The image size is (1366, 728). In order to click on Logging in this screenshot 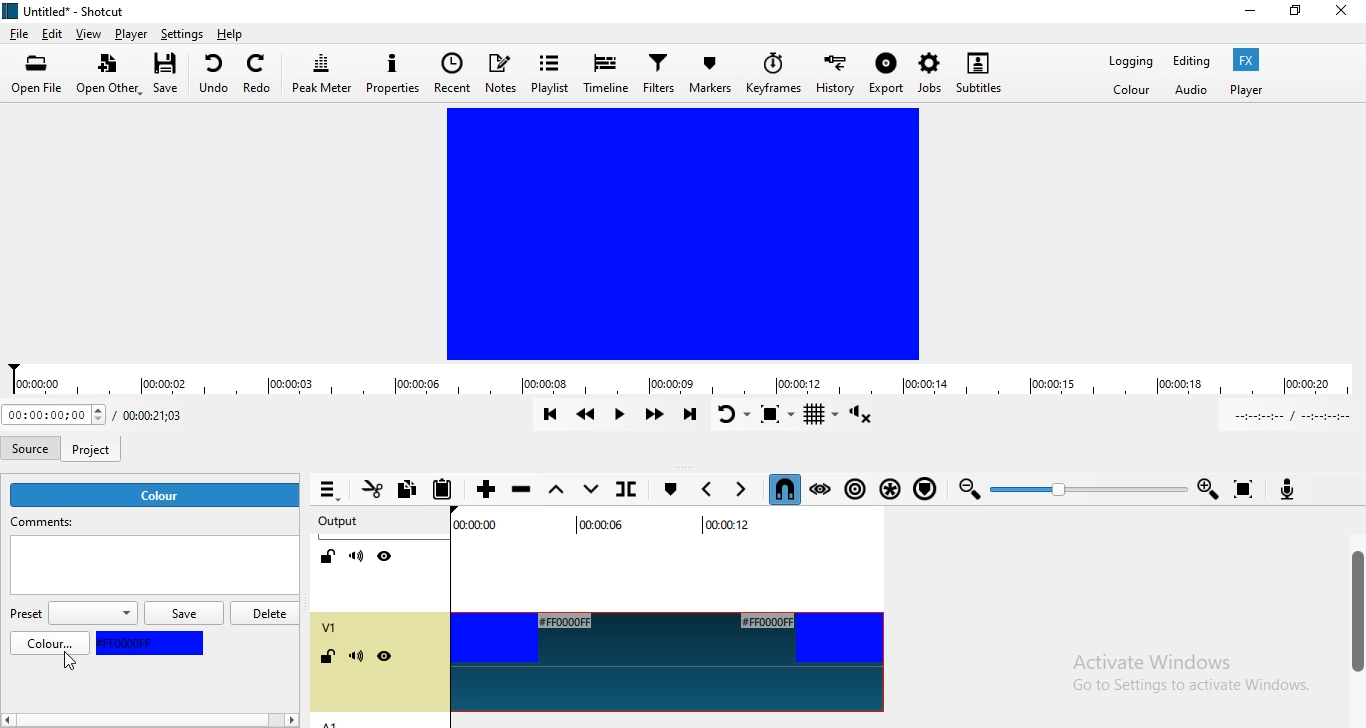, I will do `click(1125, 61)`.